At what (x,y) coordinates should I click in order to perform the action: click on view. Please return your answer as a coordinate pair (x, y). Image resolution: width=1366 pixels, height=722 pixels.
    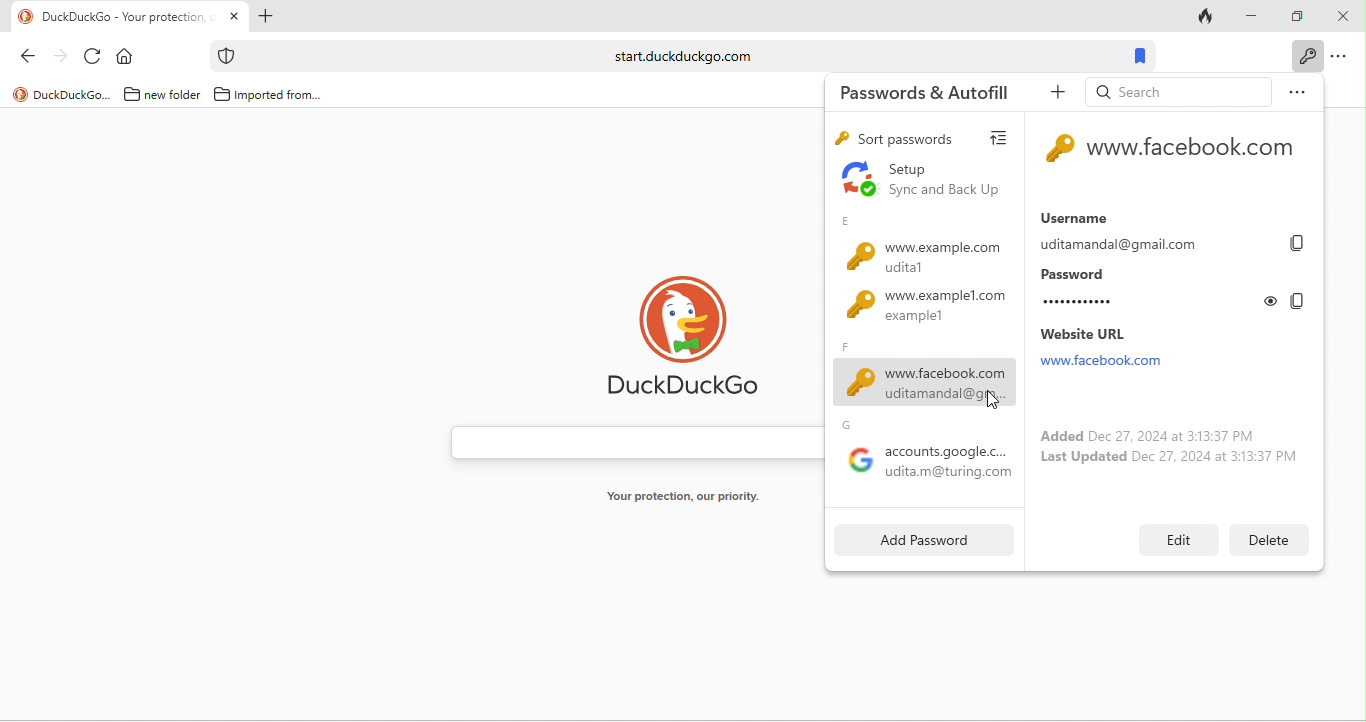
    Looking at the image, I should click on (1005, 139).